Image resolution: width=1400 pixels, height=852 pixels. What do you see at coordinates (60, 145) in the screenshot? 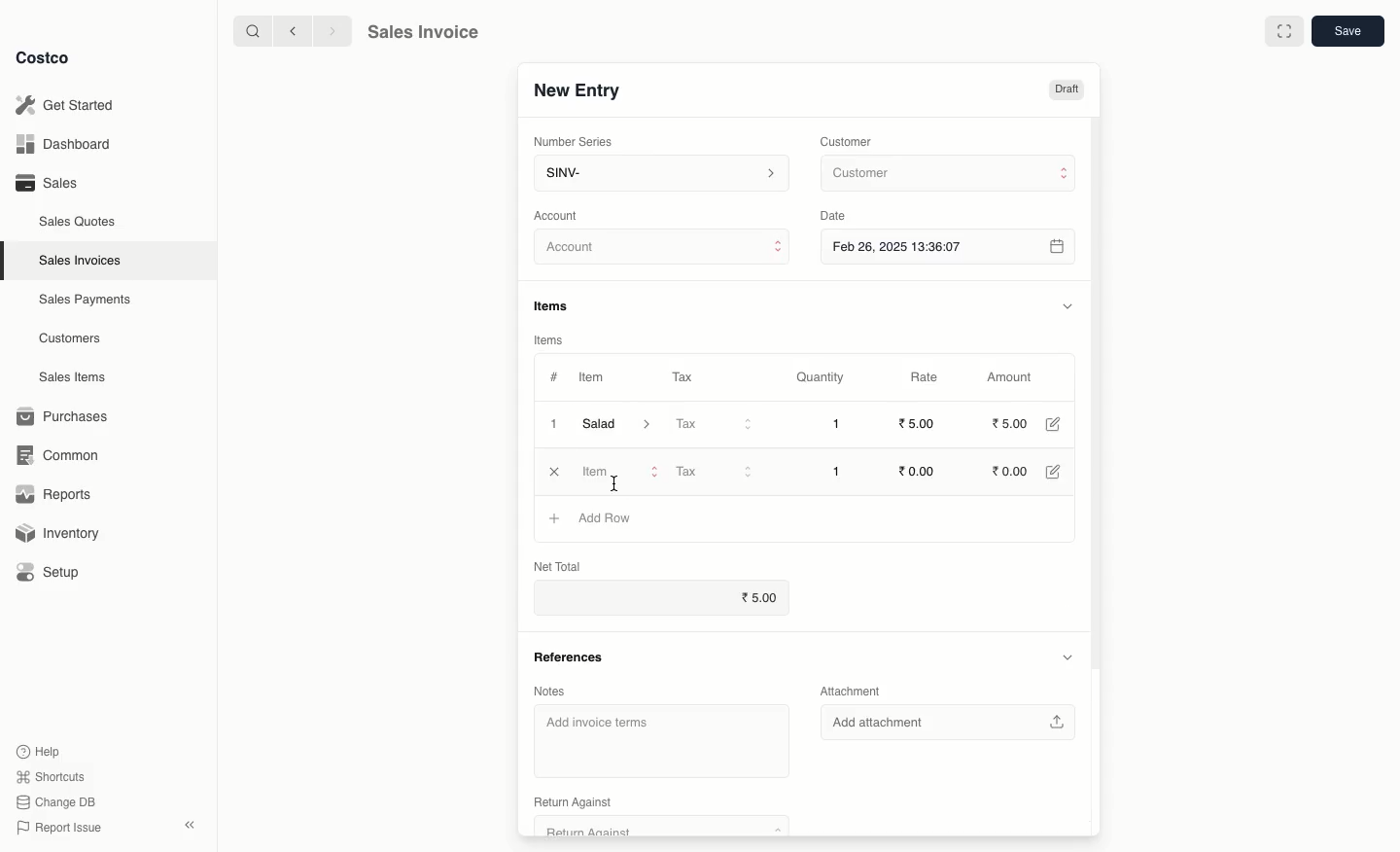
I see `Dashboard` at bounding box center [60, 145].